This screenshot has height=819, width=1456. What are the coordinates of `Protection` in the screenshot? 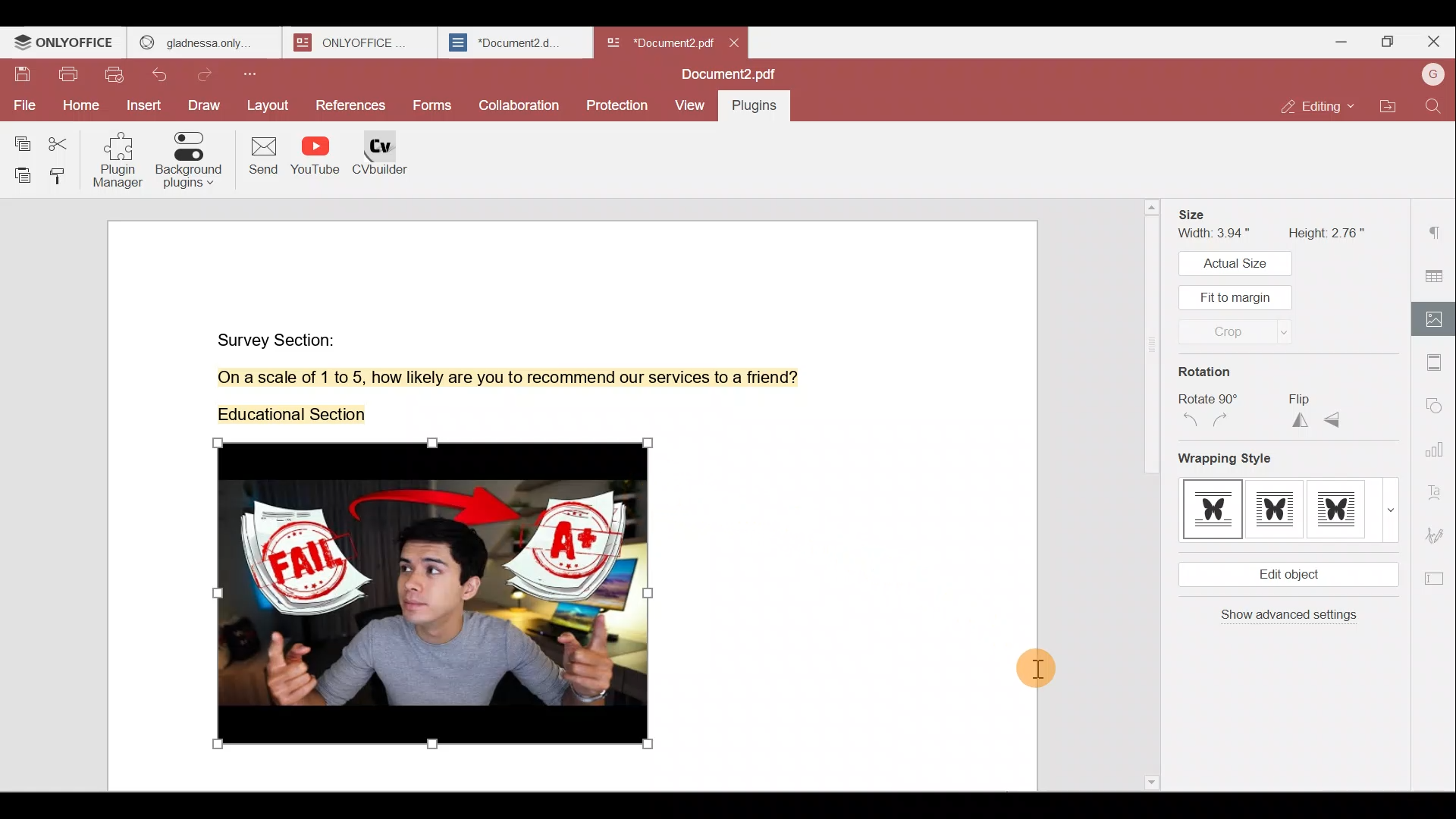 It's located at (620, 101).